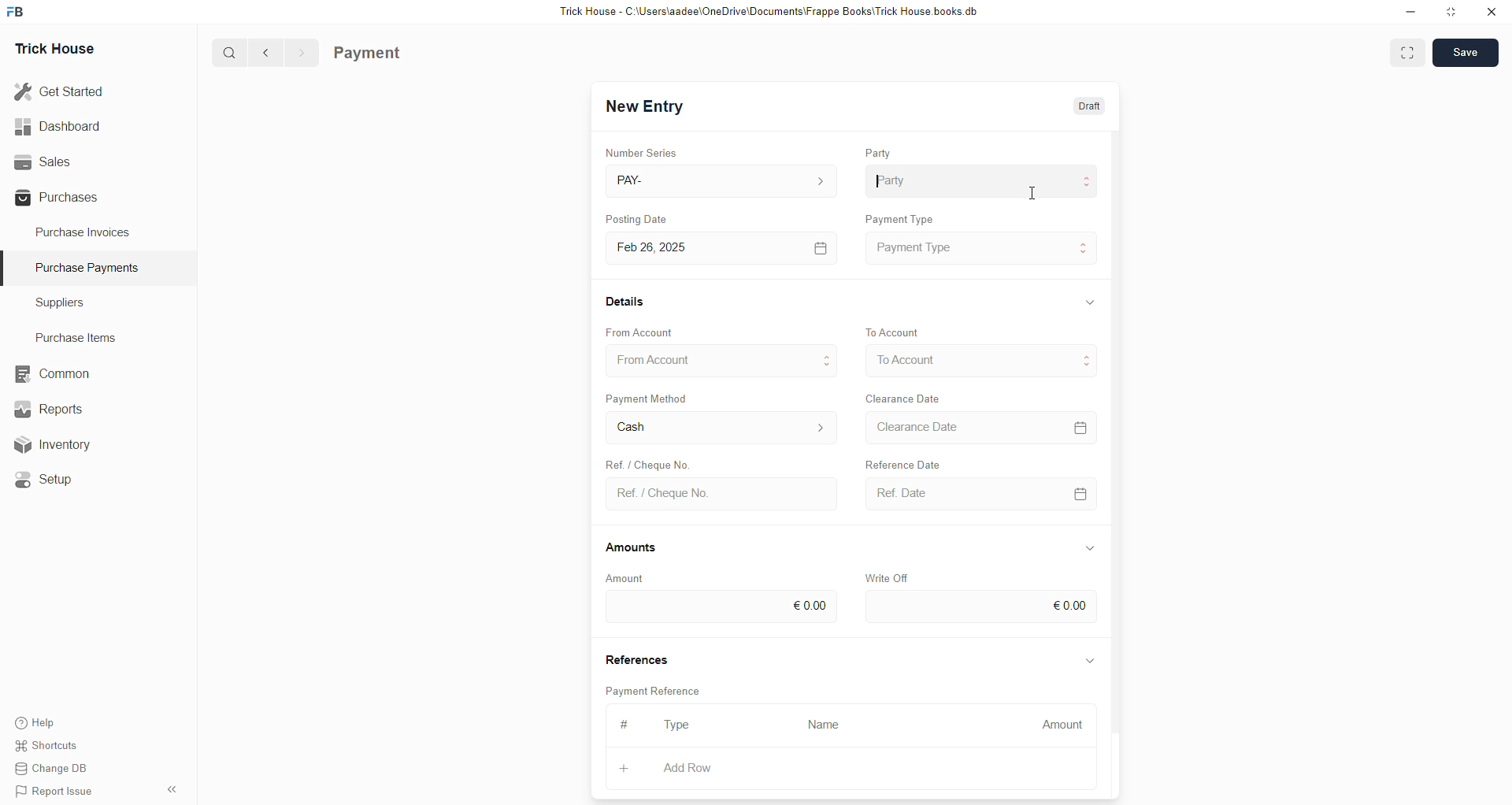 The width and height of the screenshot is (1512, 805). Describe the element at coordinates (645, 108) in the screenshot. I see `New Entry` at that location.